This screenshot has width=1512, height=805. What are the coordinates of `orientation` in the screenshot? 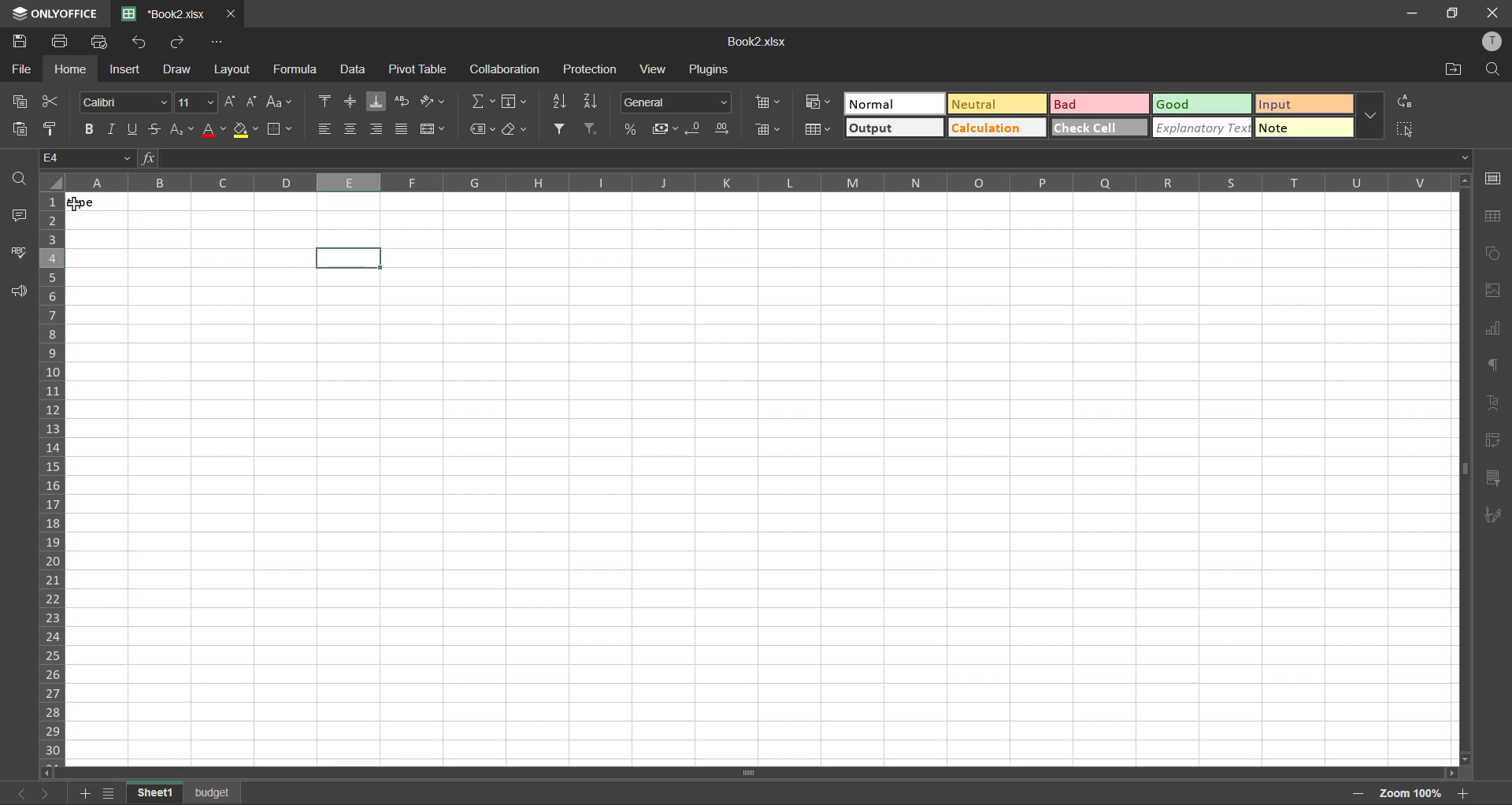 It's located at (429, 100).